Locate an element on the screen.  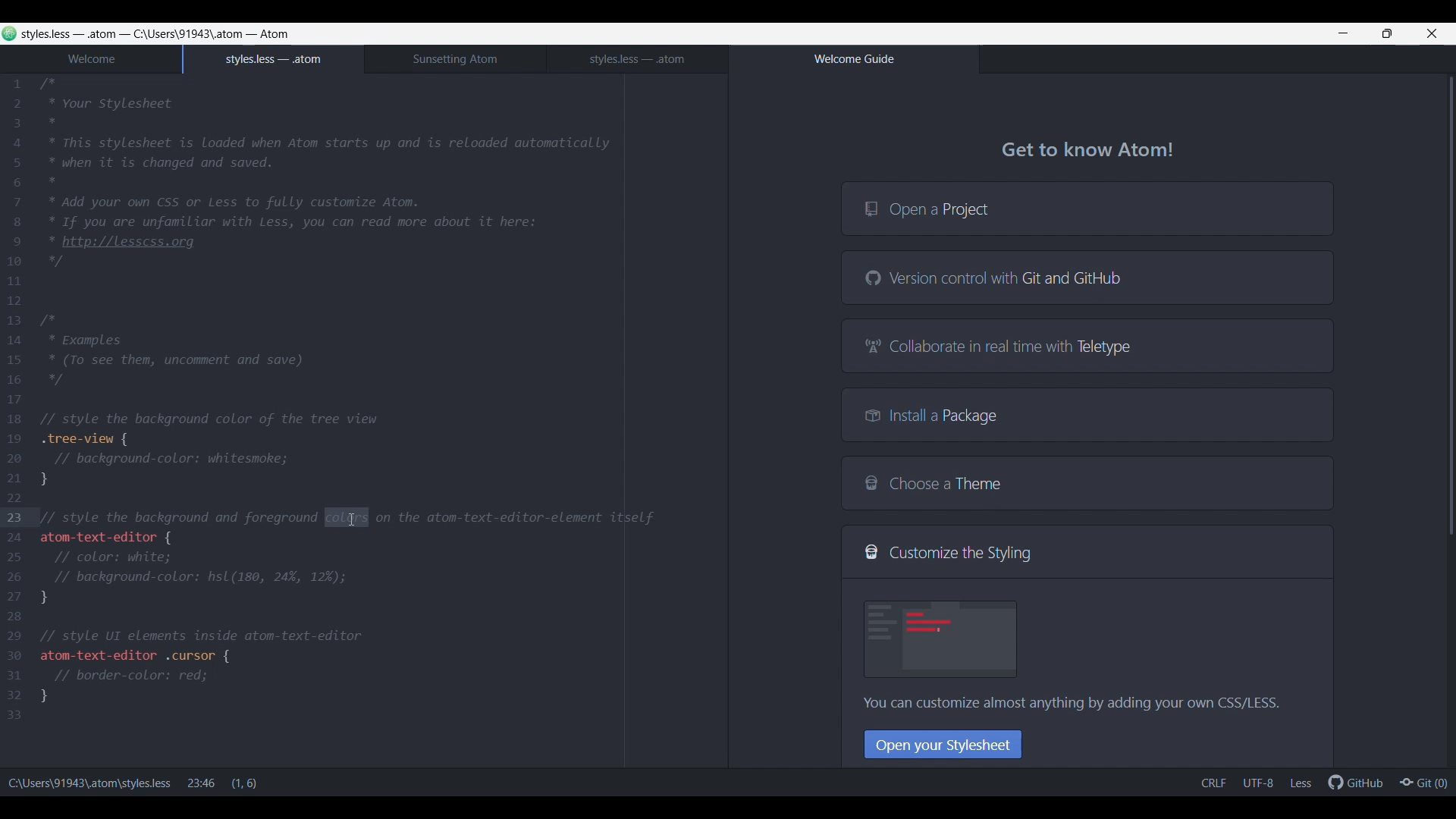
cursor is located at coordinates (347, 517).